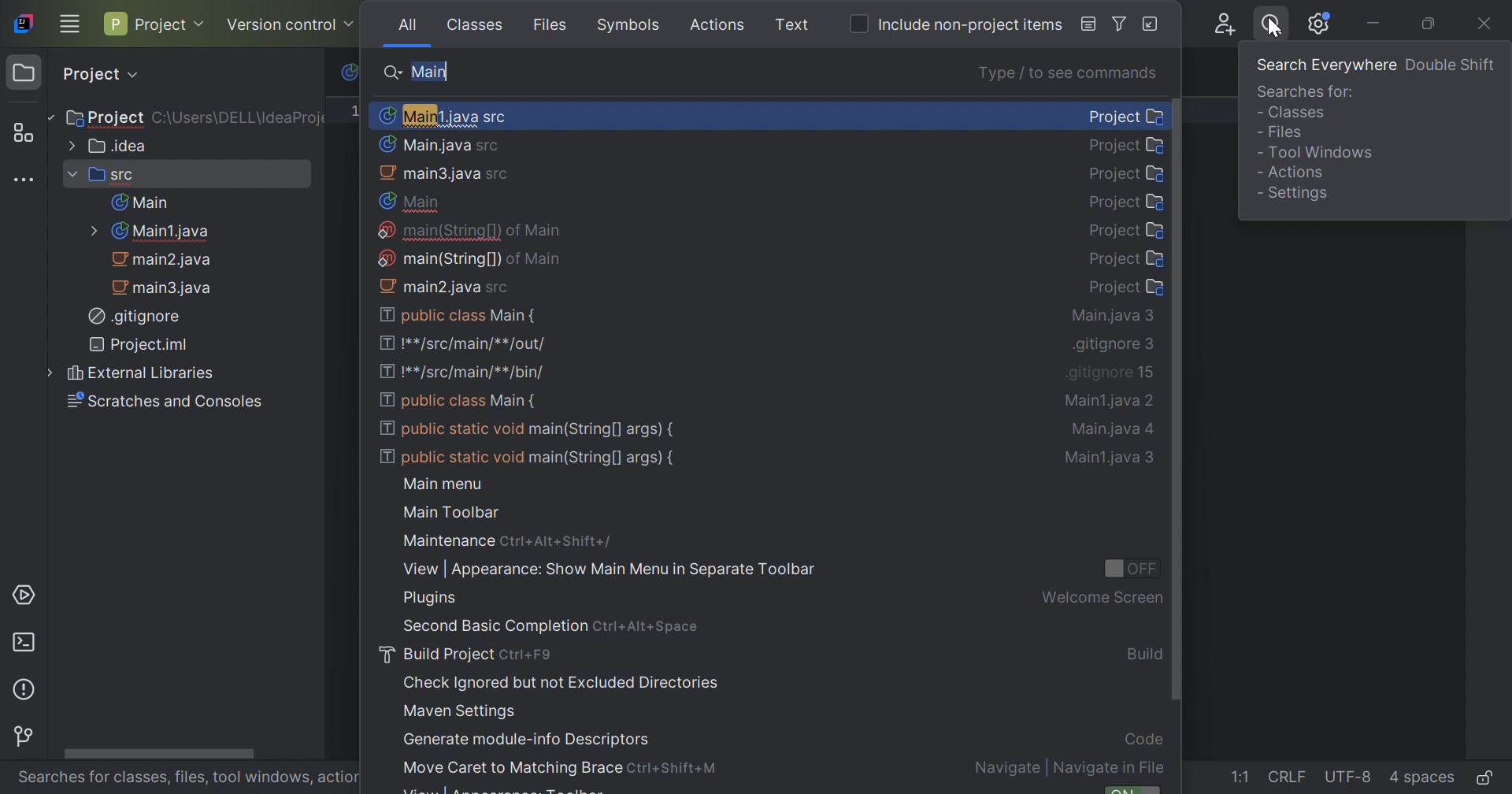 This screenshot has width=1512, height=794. Describe the element at coordinates (1136, 788) in the screenshot. I see `ON` at that location.